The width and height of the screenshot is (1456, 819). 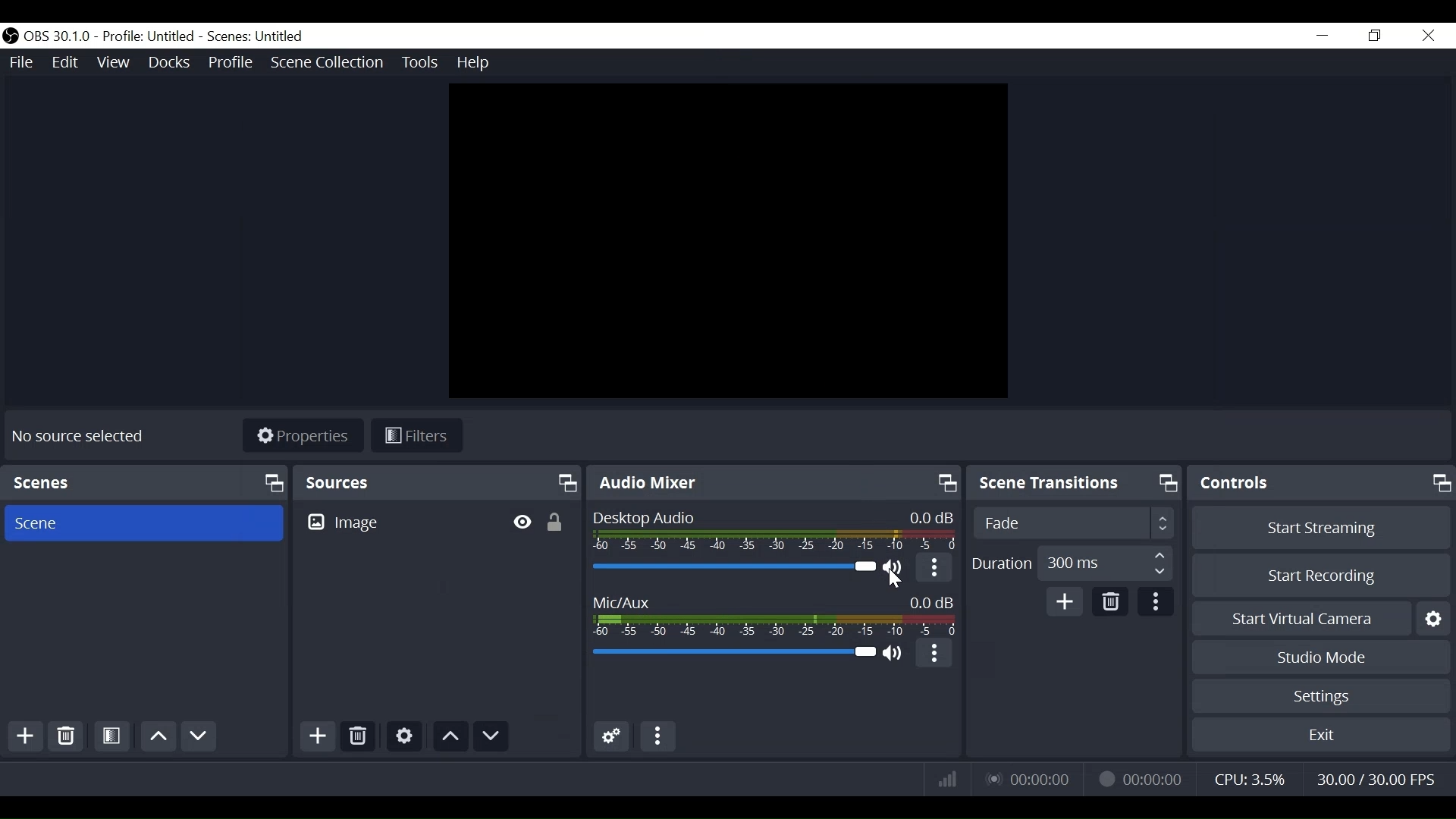 I want to click on Desktop Audio, so click(x=776, y=531).